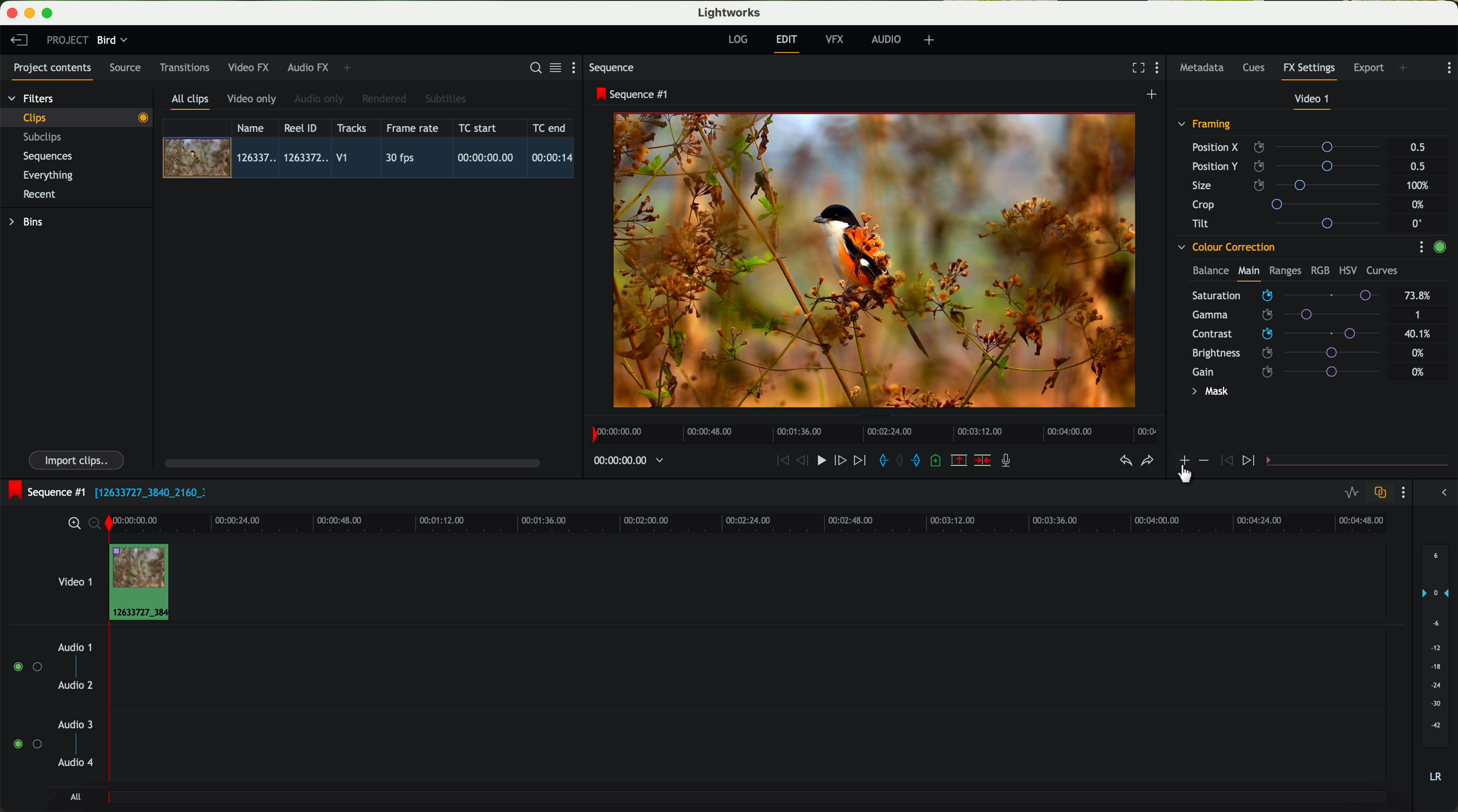 Image resolution: width=1458 pixels, height=812 pixels. What do you see at coordinates (76, 763) in the screenshot?
I see `audio 4` at bounding box center [76, 763].